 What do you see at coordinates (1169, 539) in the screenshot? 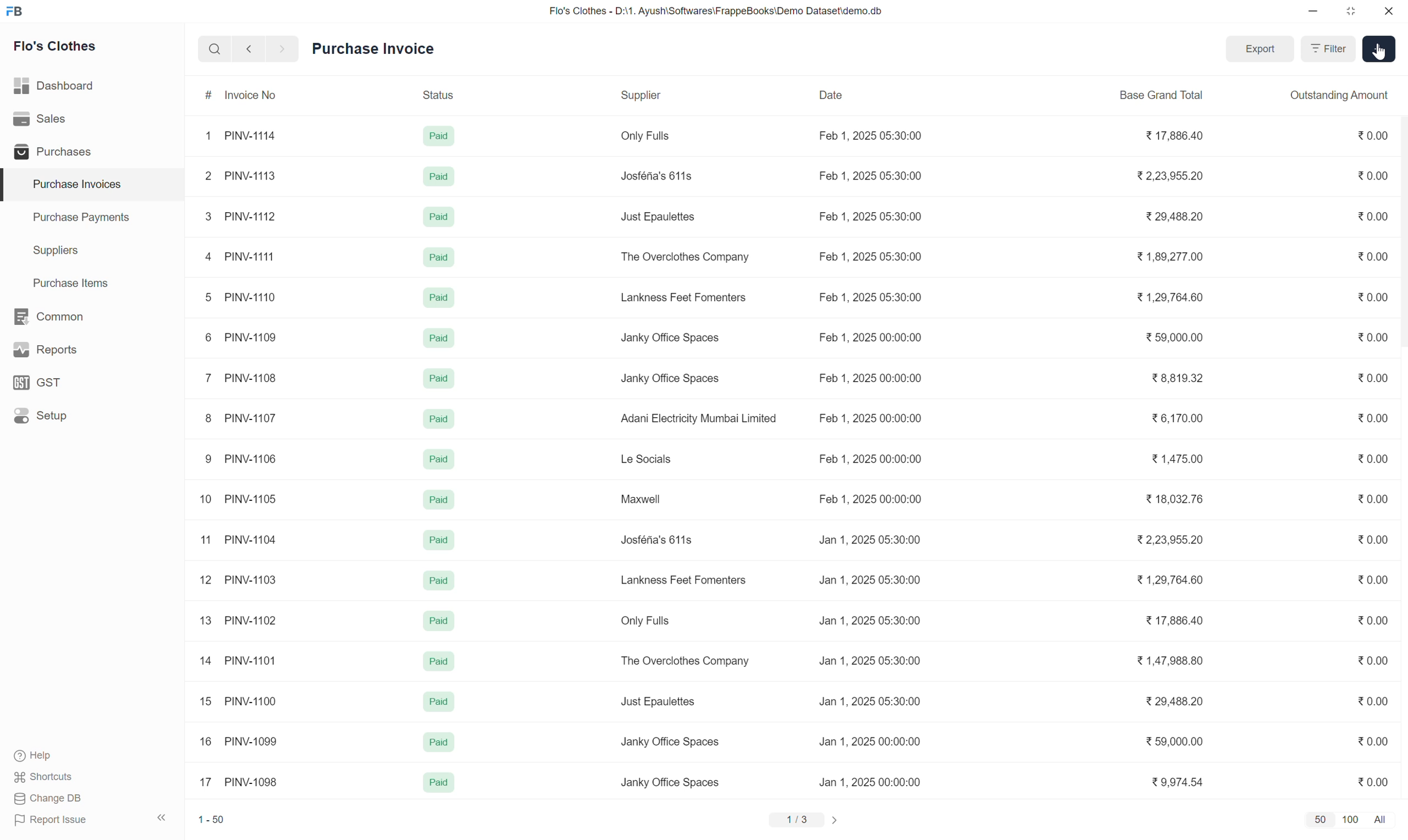
I see `2,23,955.20` at bounding box center [1169, 539].